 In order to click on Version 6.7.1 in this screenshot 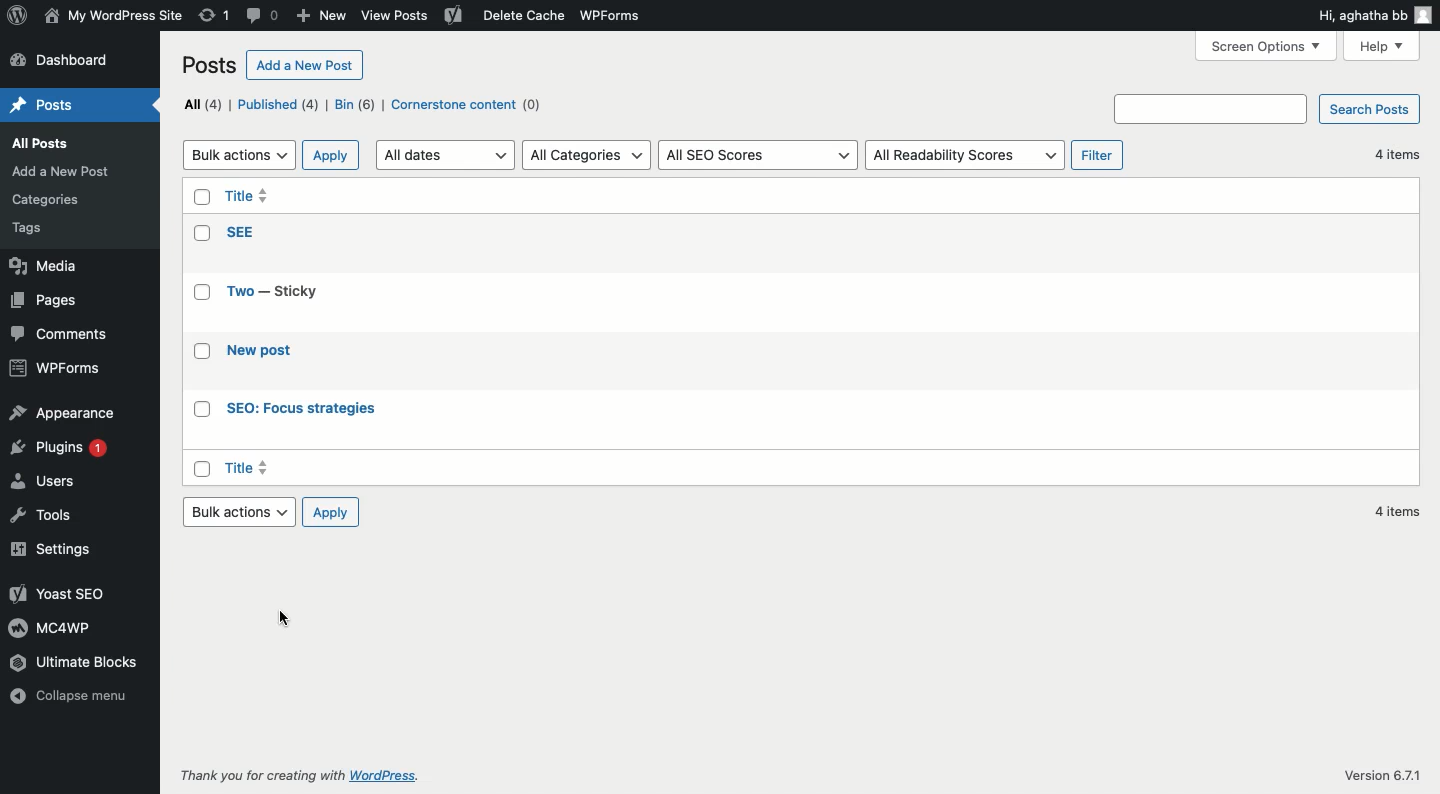, I will do `click(1382, 772)`.